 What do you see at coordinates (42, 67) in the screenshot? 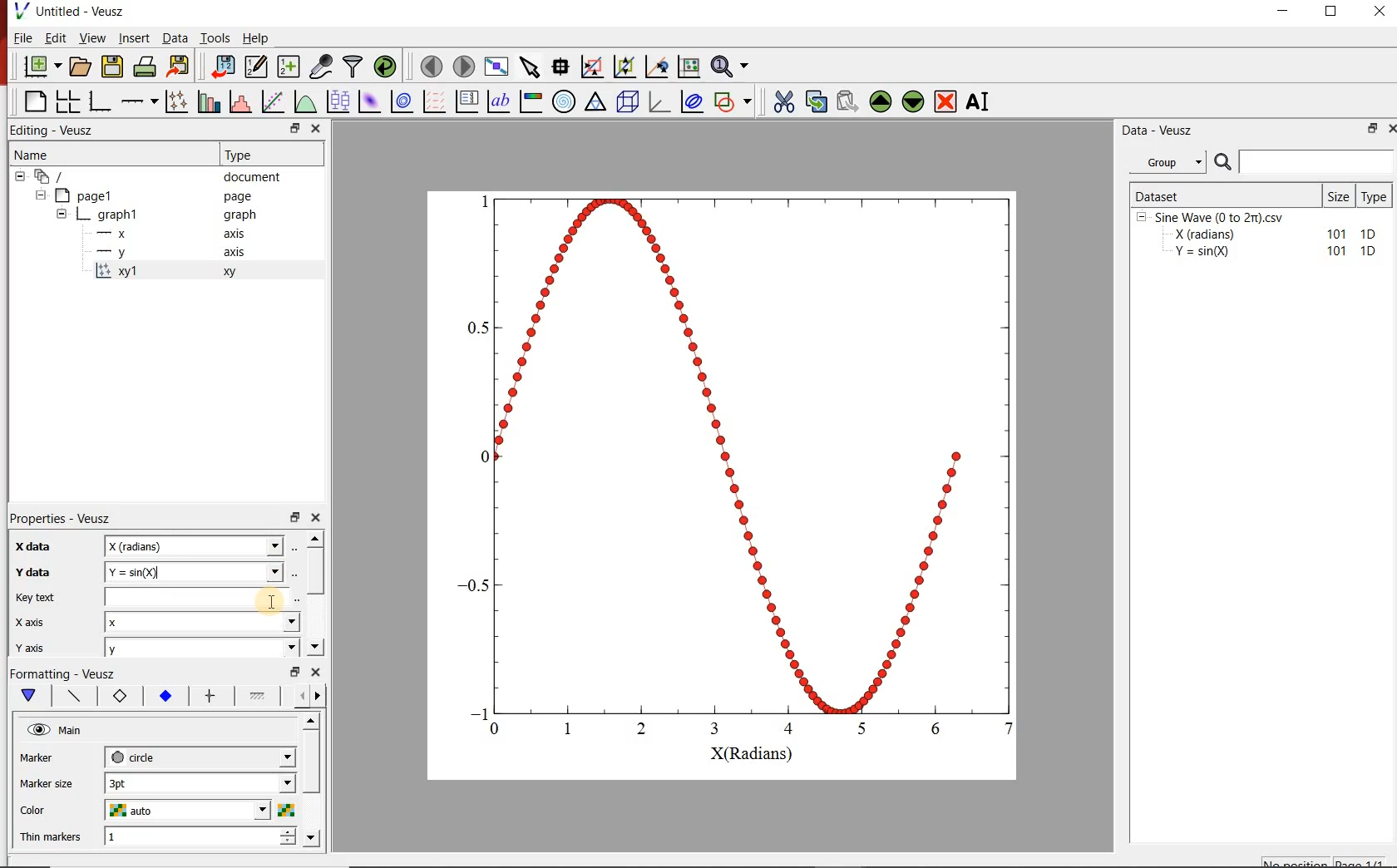
I see `new document` at bounding box center [42, 67].